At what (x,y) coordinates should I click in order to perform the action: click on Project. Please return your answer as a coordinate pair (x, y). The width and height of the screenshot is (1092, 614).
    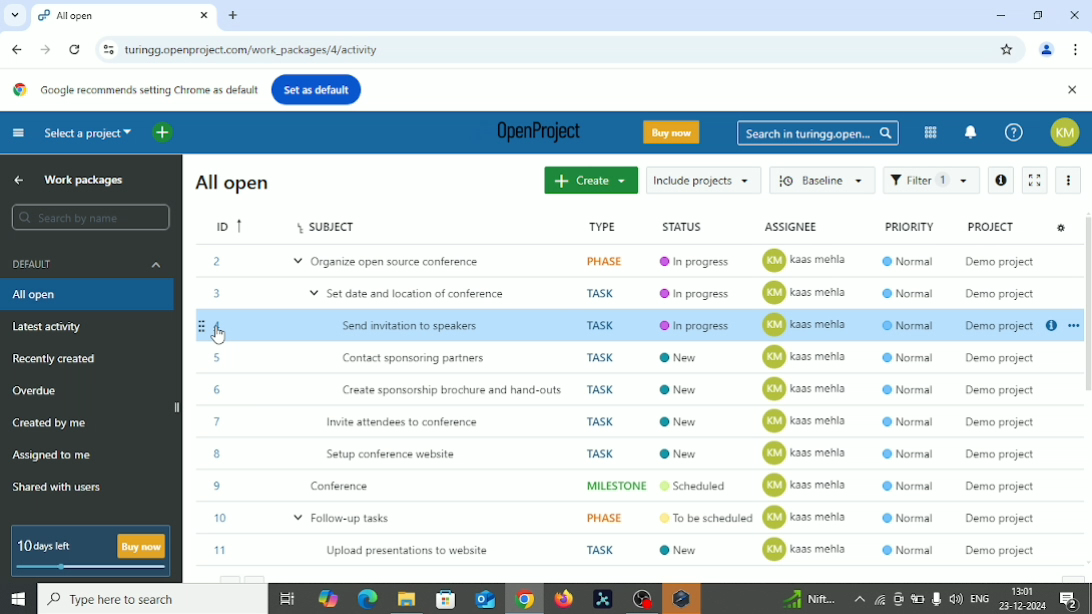
    Looking at the image, I should click on (998, 225).